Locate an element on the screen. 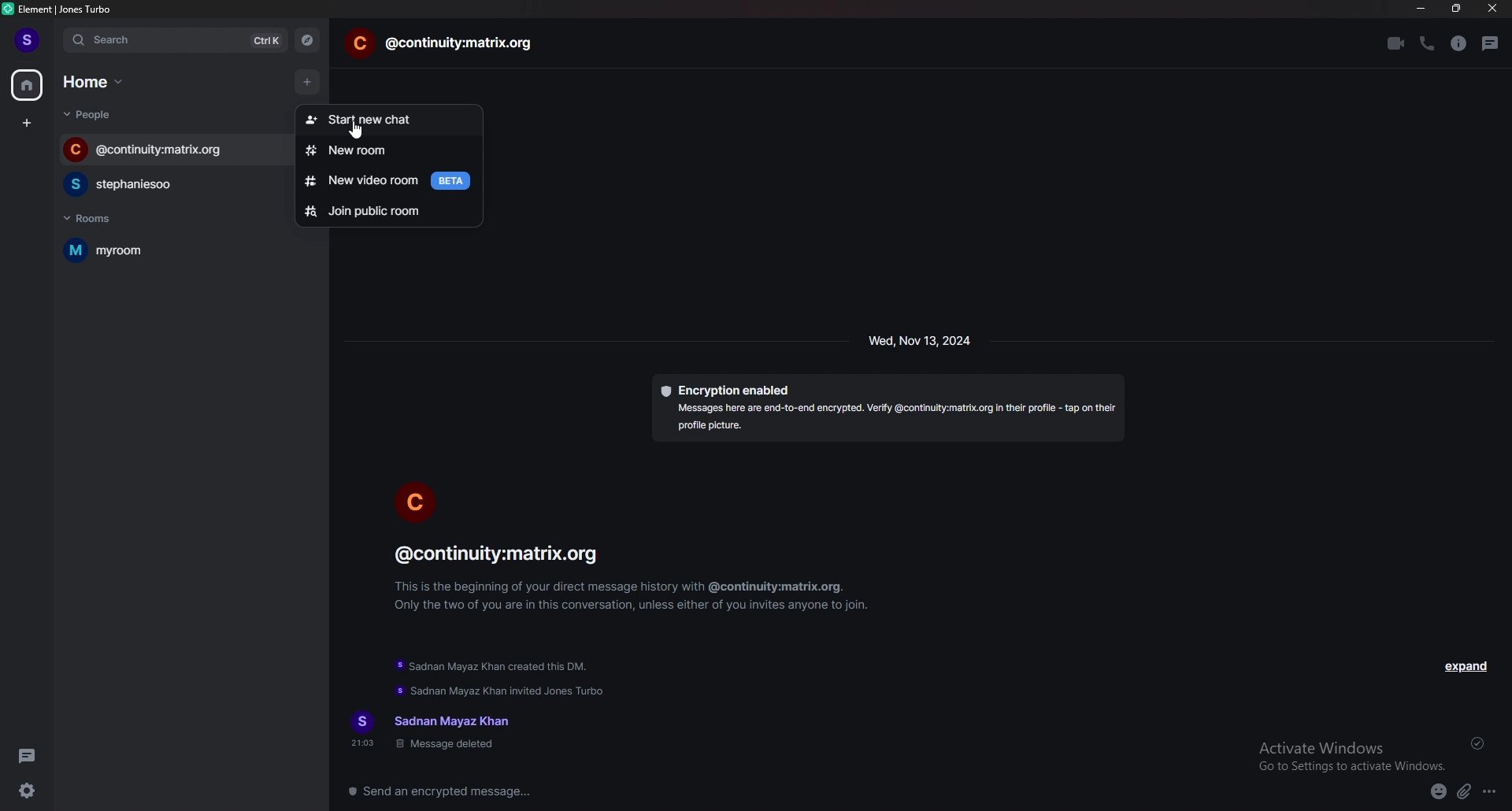 This screenshot has width=1512, height=811. encryption enabled is located at coordinates (888, 408).